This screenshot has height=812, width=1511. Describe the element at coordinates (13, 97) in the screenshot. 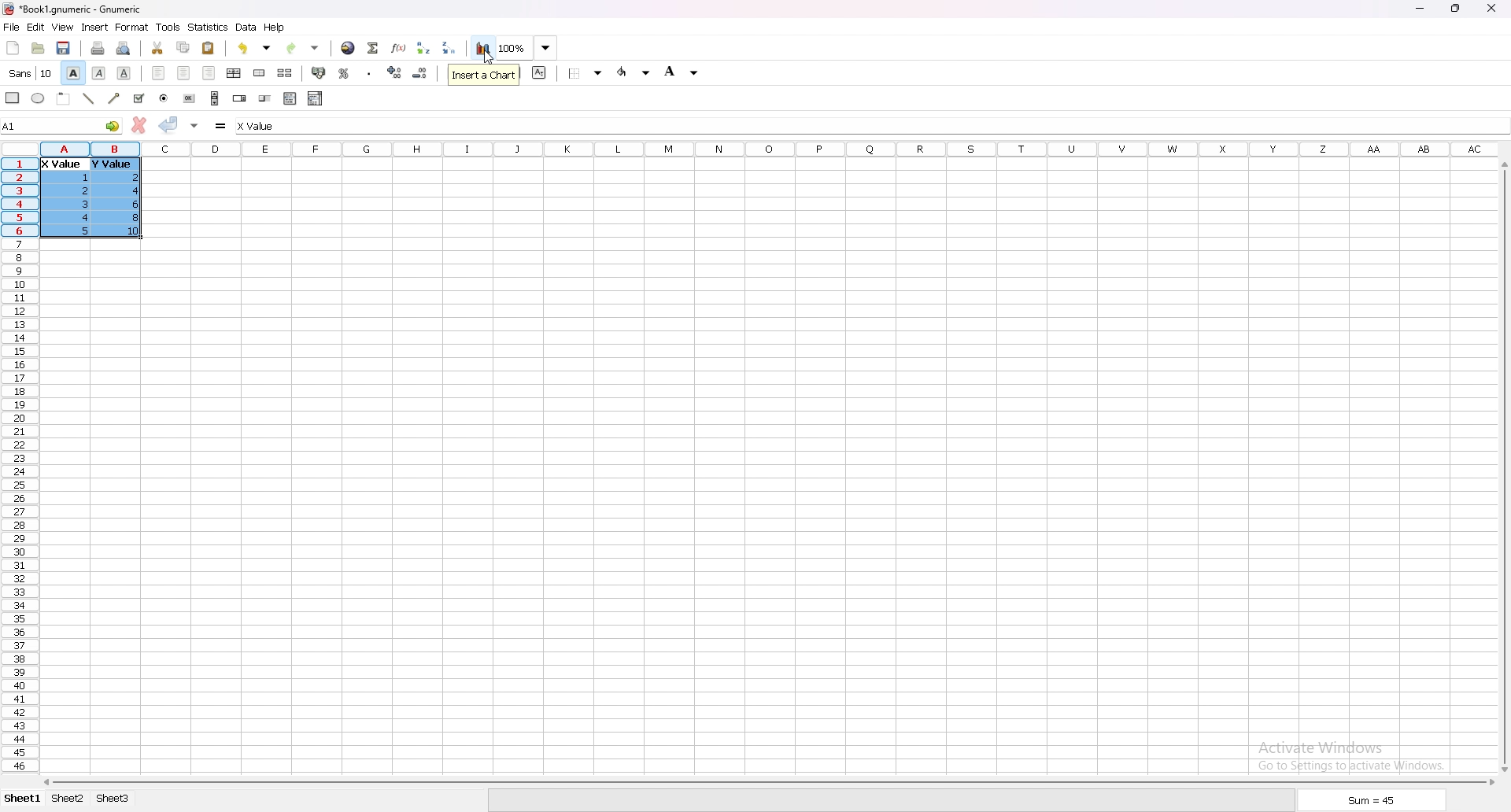

I see `rectangle` at that location.